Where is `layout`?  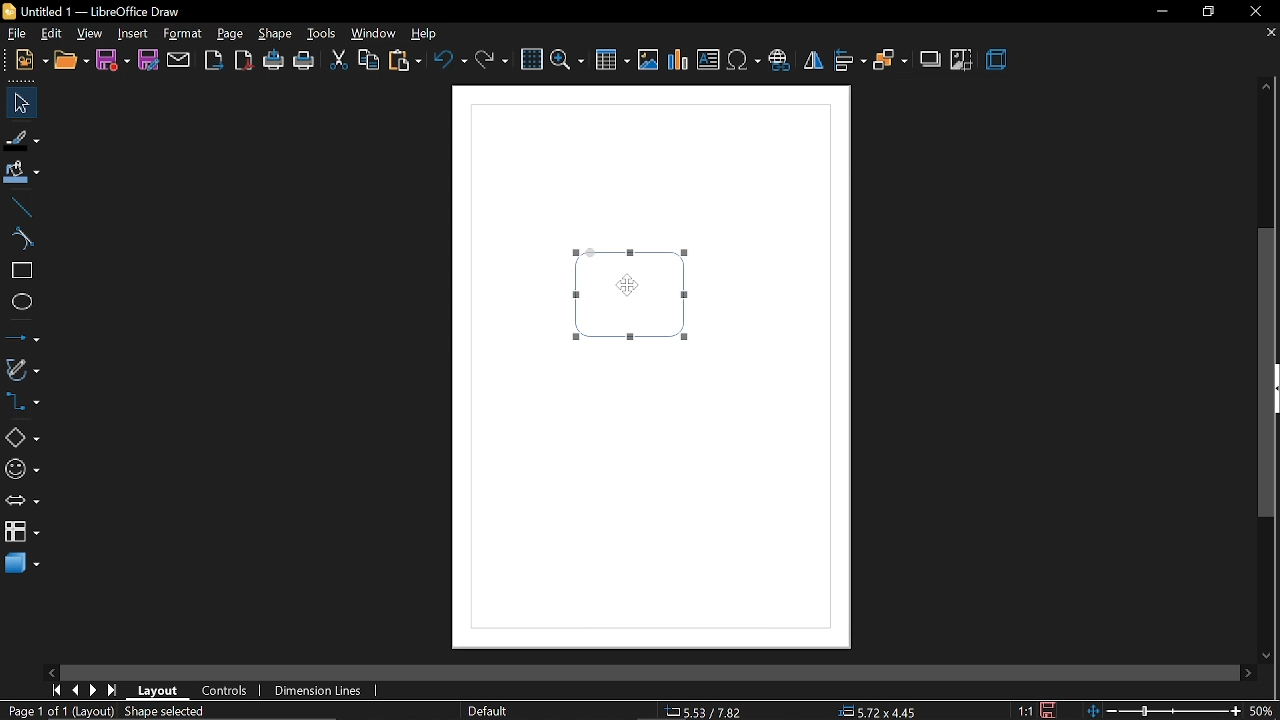 layout is located at coordinates (162, 691).